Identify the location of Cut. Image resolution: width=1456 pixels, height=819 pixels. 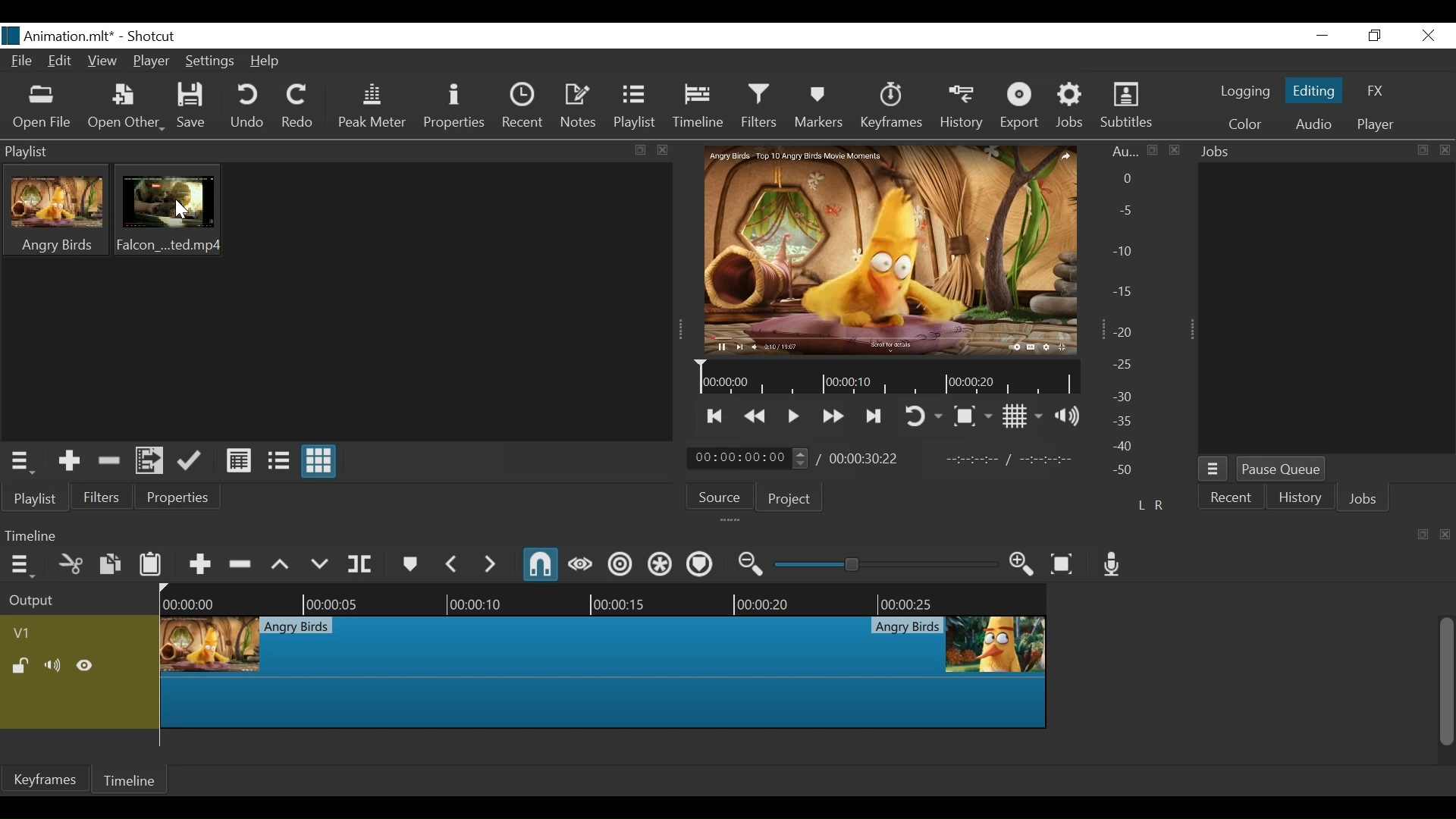
(71, 563).